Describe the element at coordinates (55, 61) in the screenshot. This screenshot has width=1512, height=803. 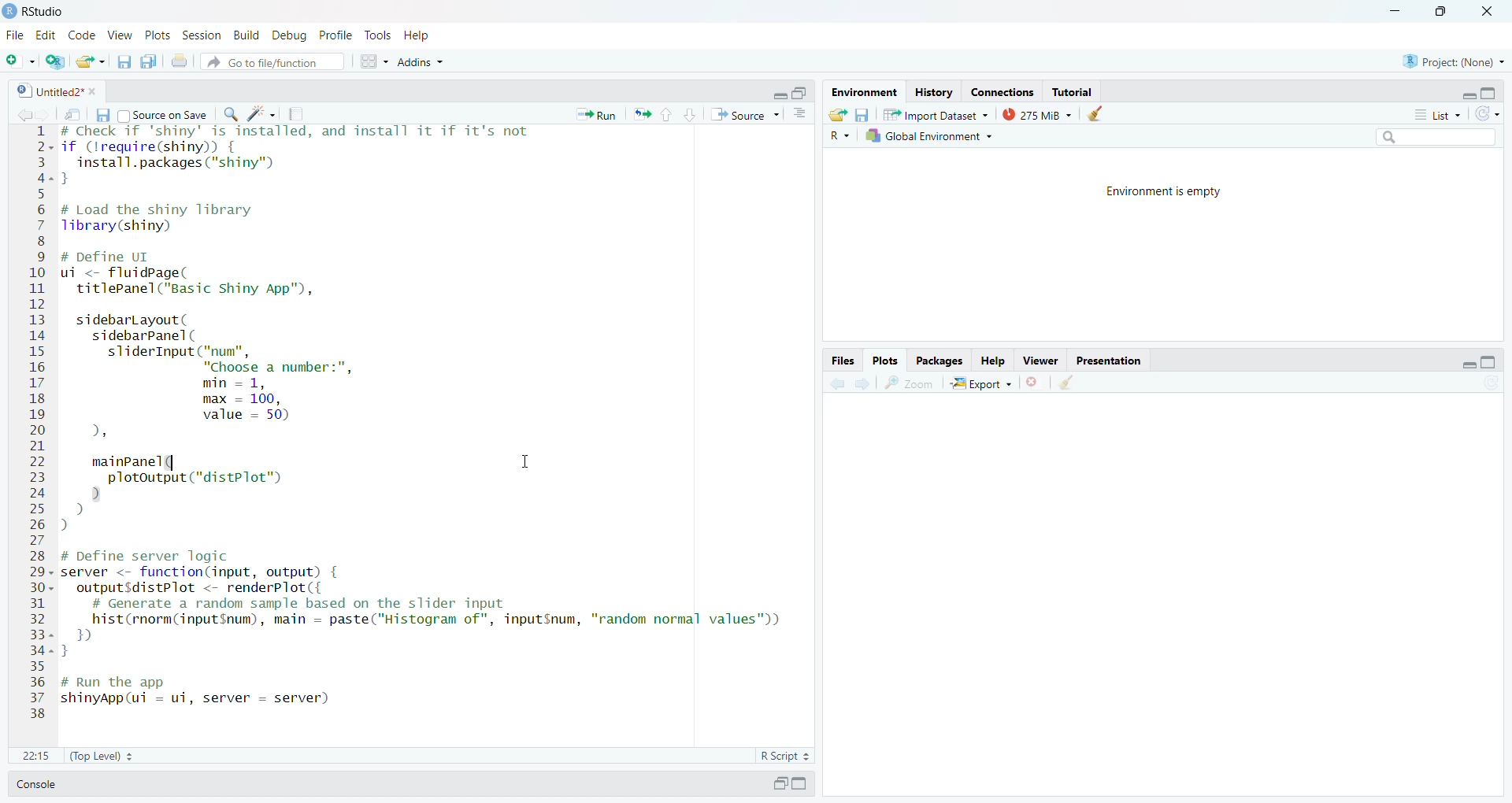
I see `new project` at that location.